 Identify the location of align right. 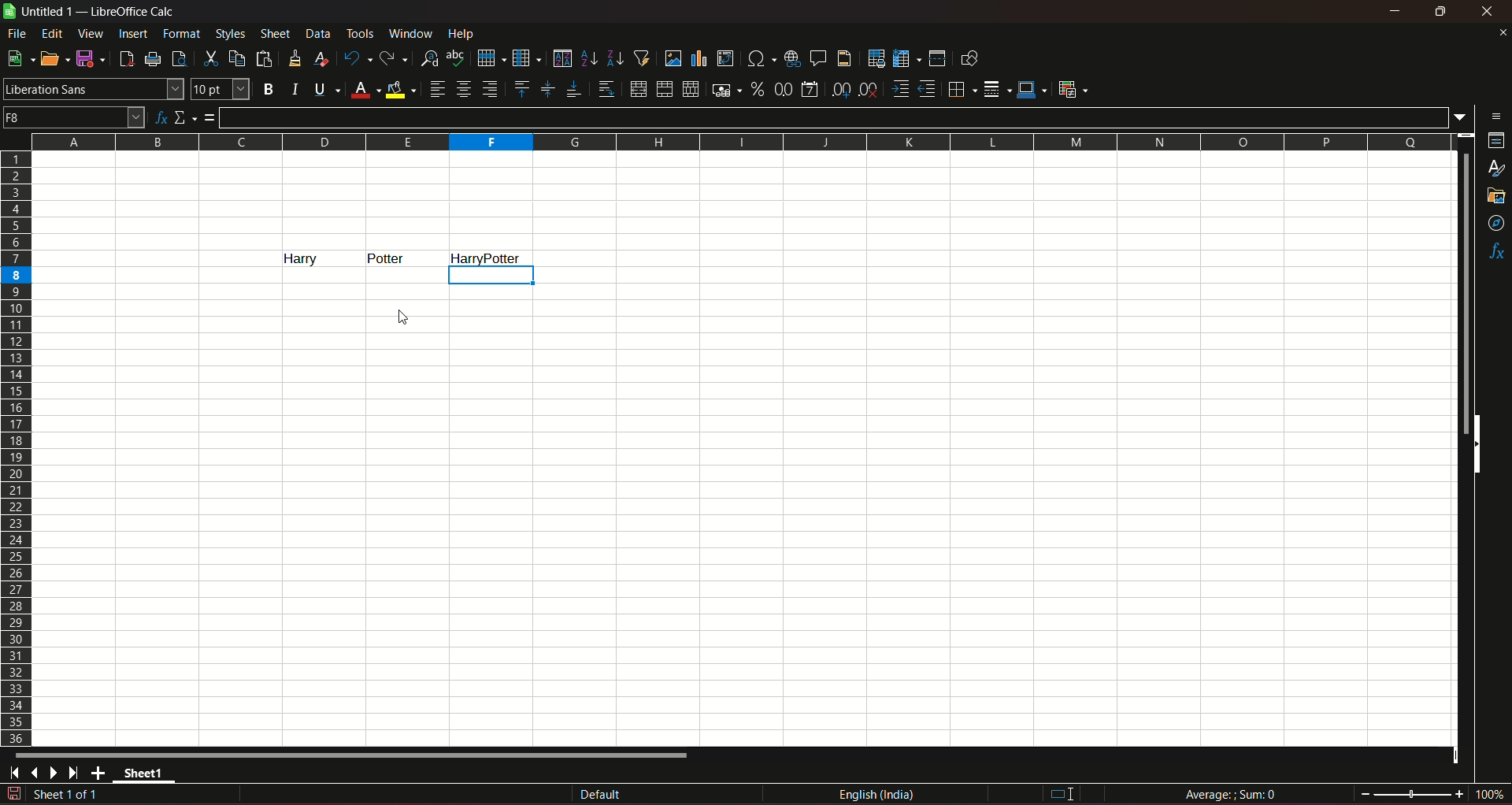
(492, 89).